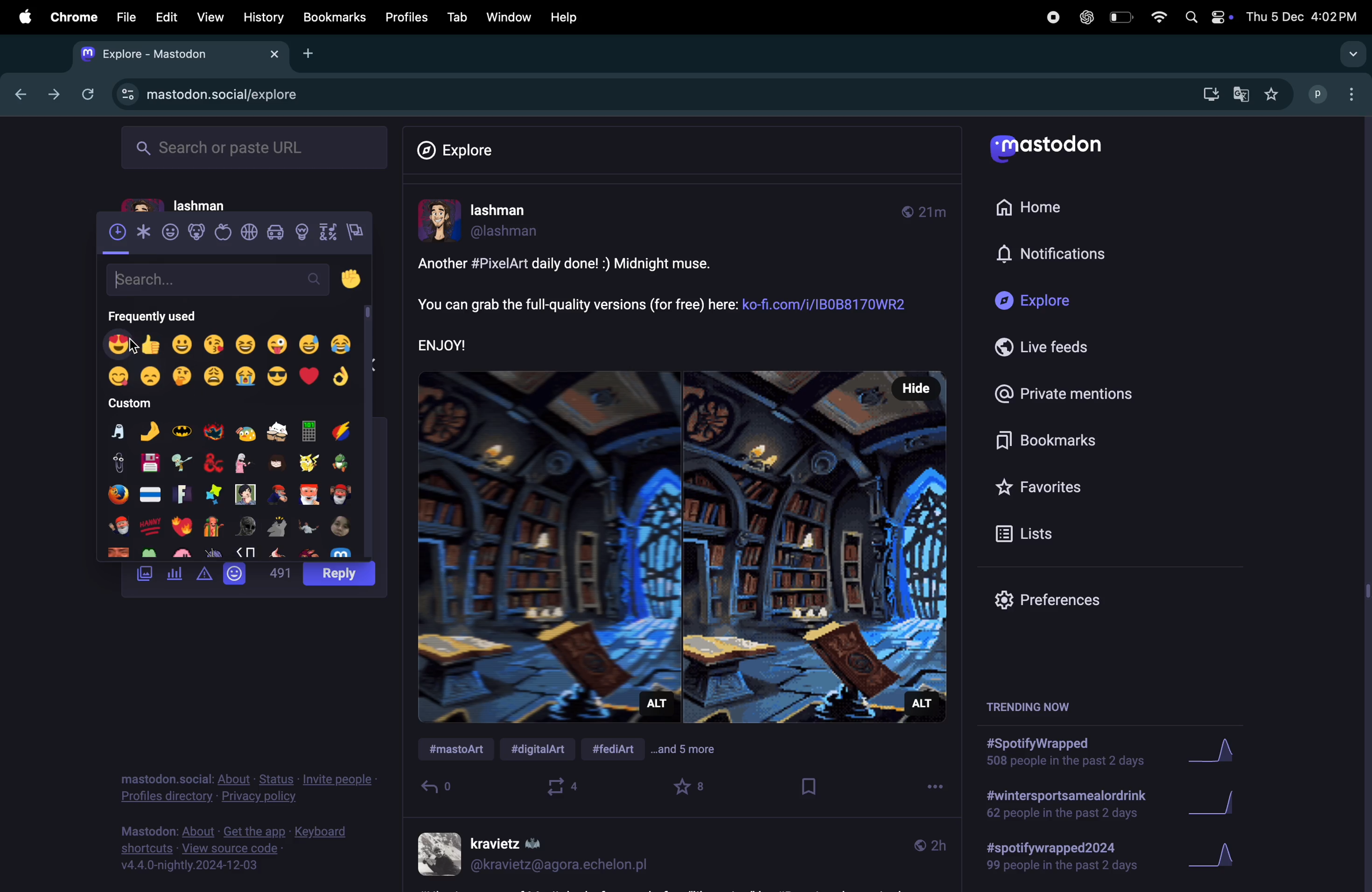 The width and height of the screenshot is (1372, 892). What do you see at coordinates (658, 706) in the screenshot?
I see `Alt description` at bounding box center [658, 706].